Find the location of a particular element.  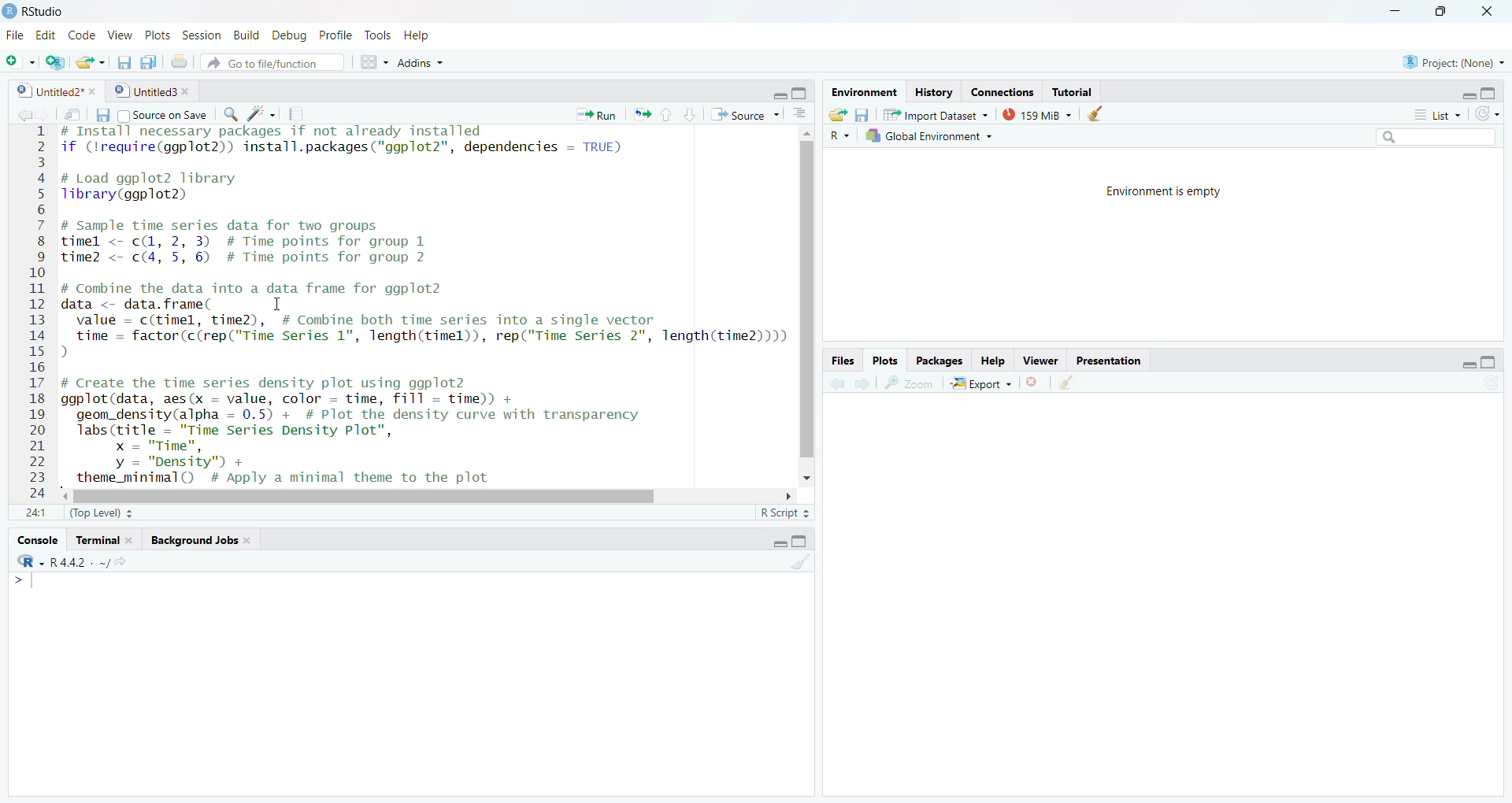

Back is located at coordinates (18, 116).